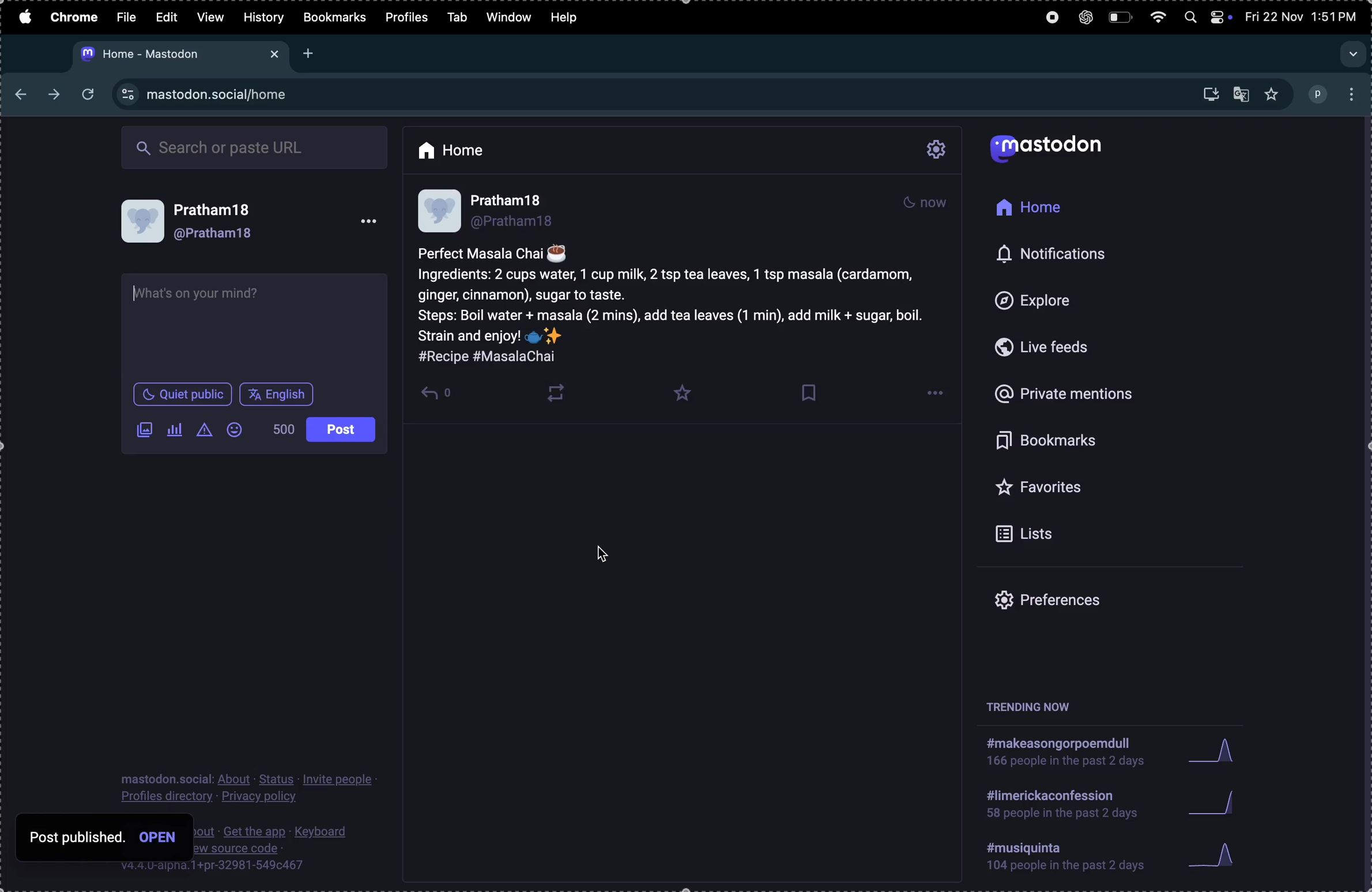  What do you see at coordinates (1064, 856) in the screenshot?
I see `hashtags` at bounding box center [1064, 856].